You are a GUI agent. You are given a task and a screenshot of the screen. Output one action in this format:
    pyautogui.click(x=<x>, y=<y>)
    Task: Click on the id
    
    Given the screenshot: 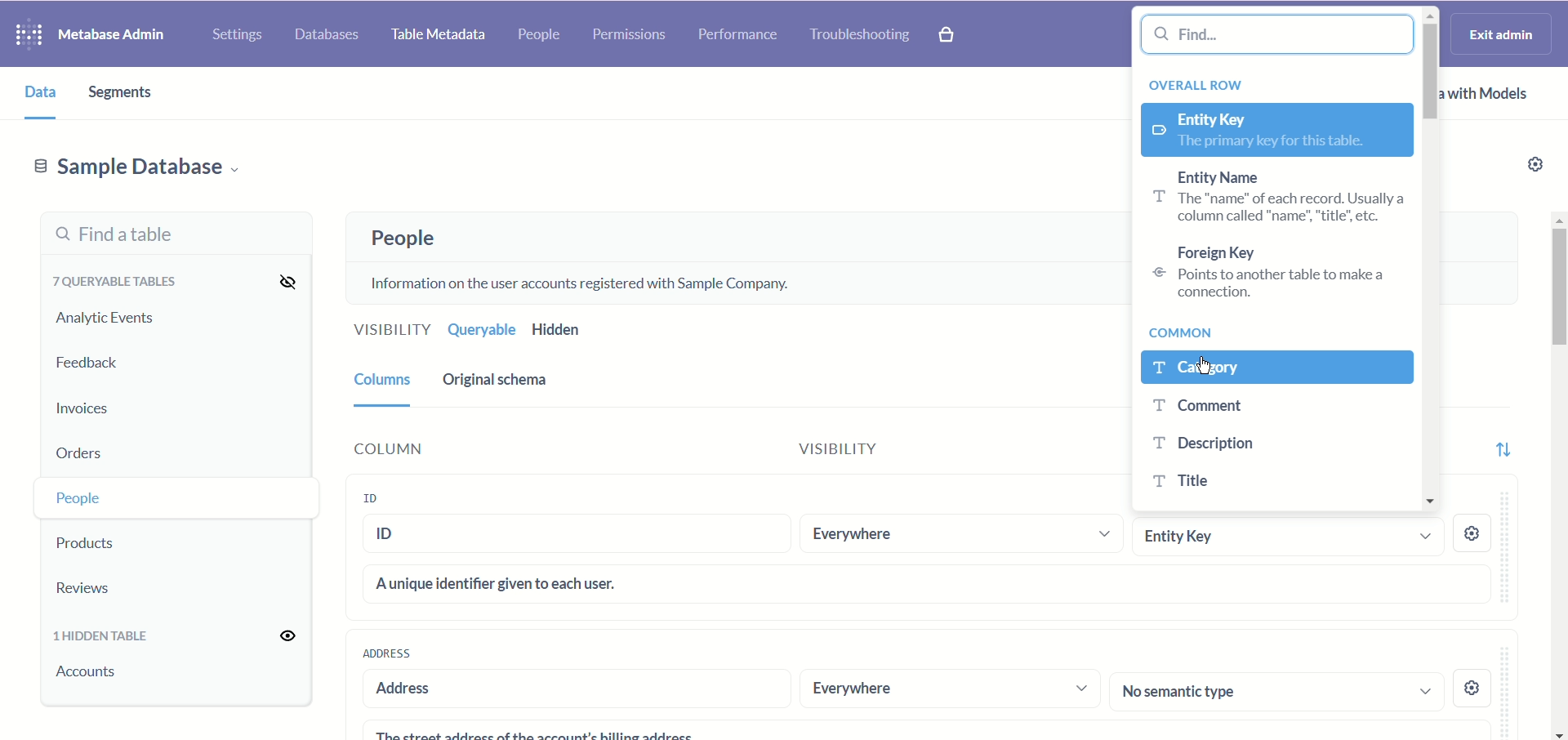 What is the action you would take?
    pyautogui.click(x=386, y=497)
    